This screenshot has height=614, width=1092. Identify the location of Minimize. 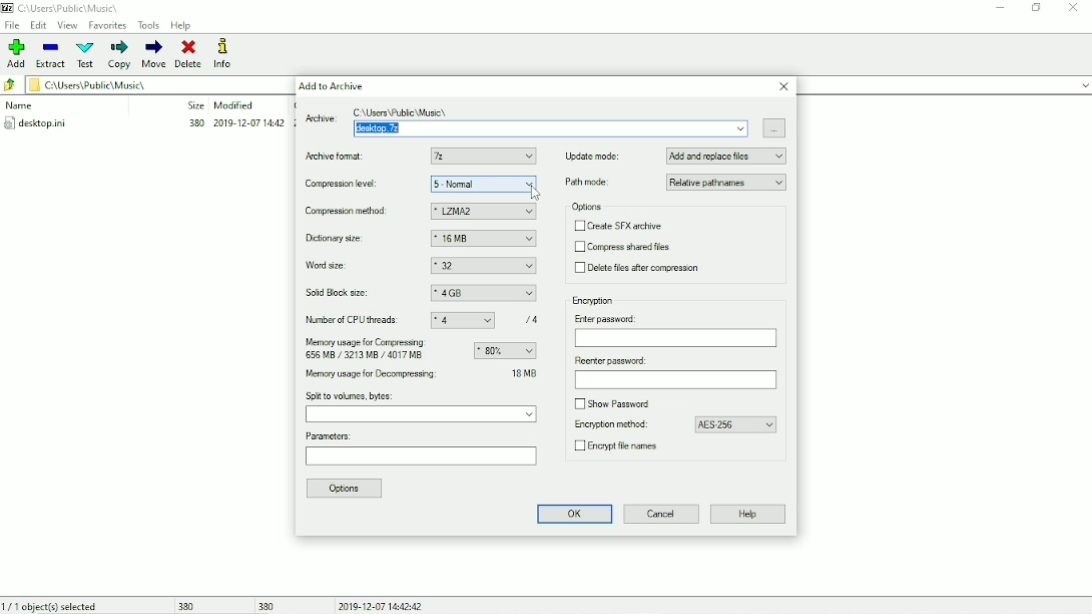
(1001, 8).